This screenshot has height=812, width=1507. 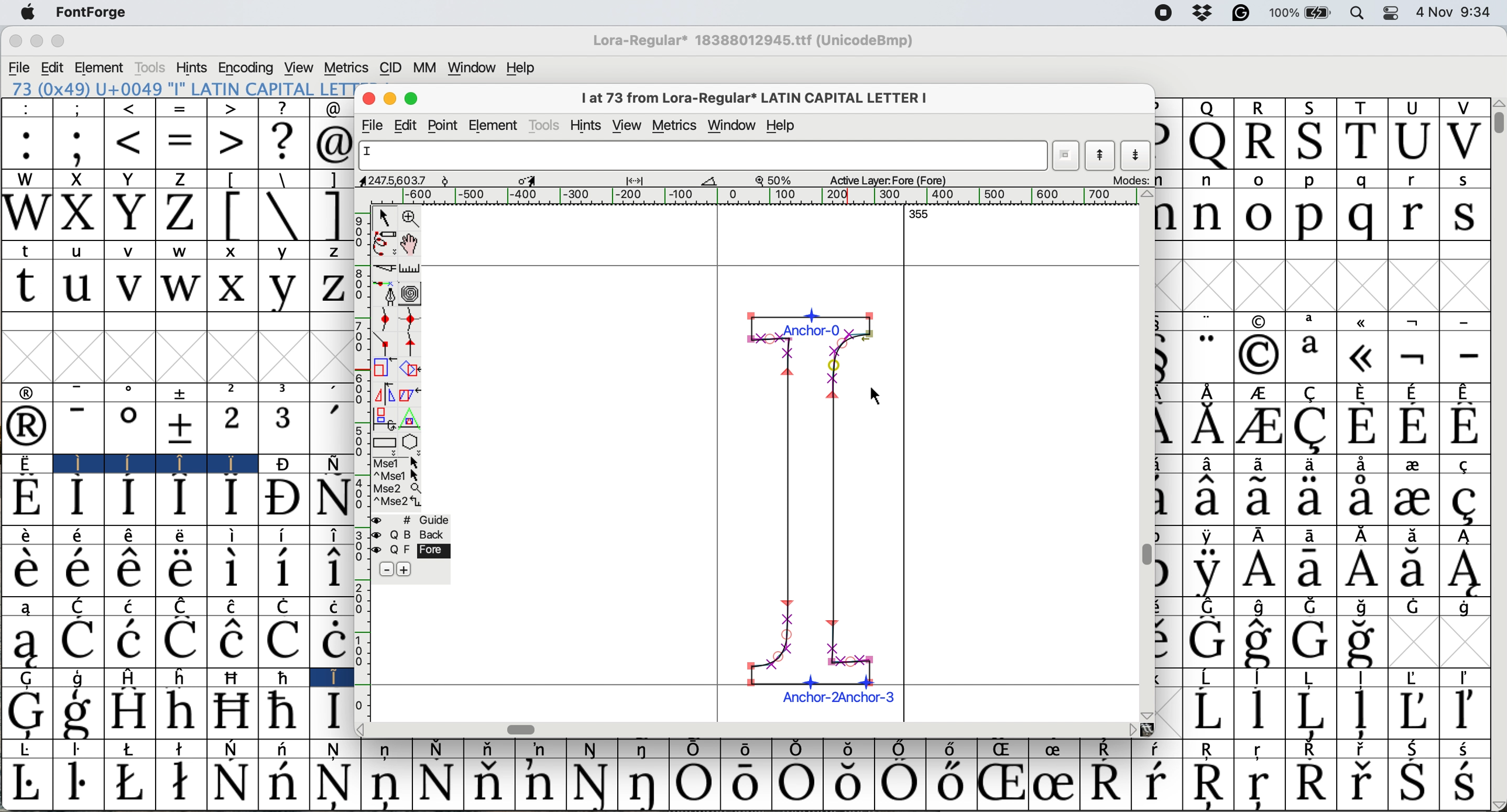 I want to click on X, so click(x=78, y=215).